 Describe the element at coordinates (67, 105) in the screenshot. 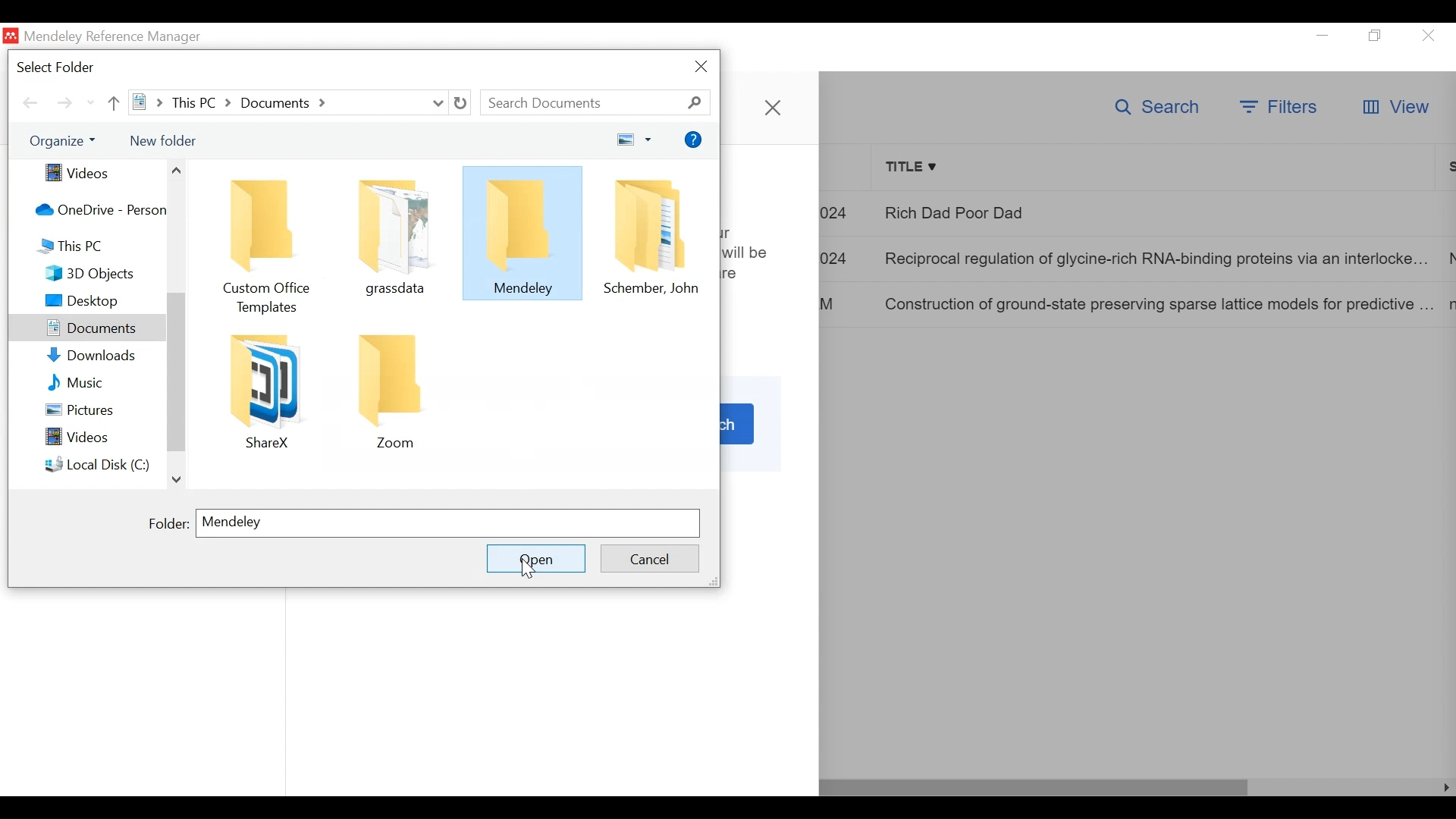

I see `Navigate Forward` at that location.